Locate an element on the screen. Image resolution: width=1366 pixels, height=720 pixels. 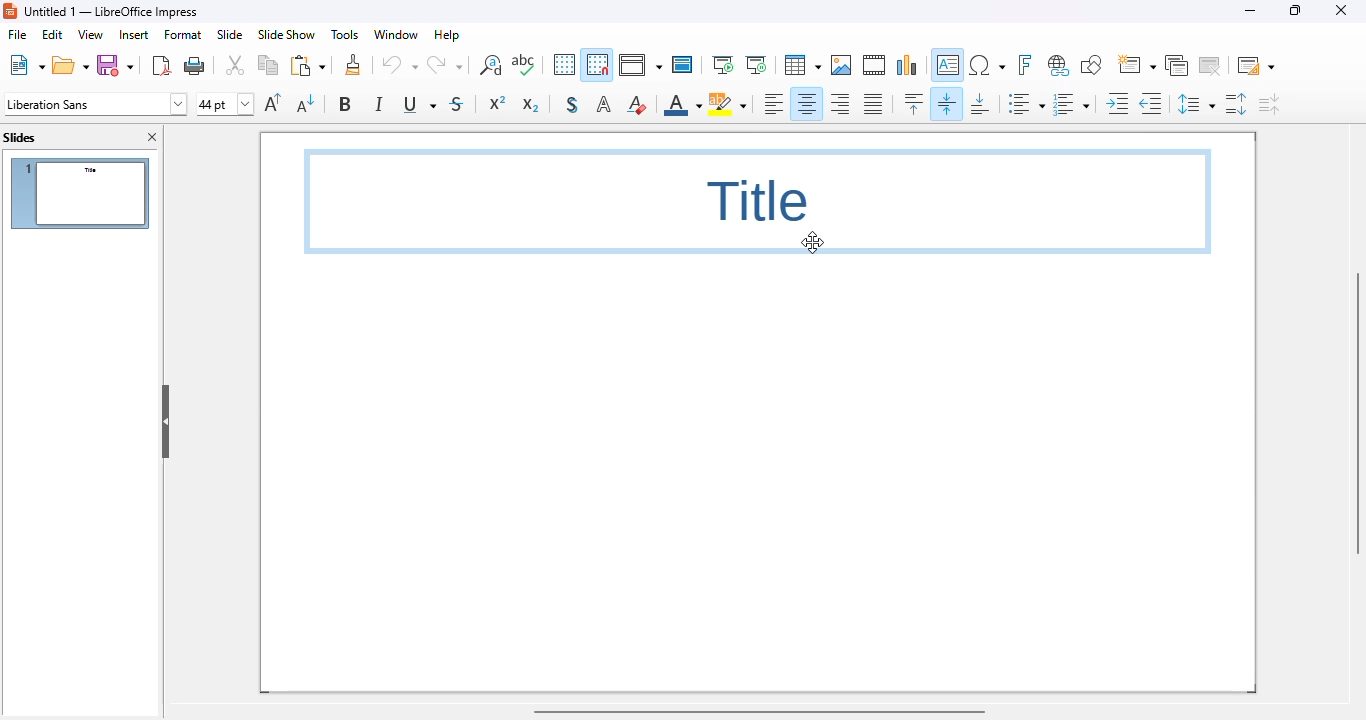
edit is located at coordinates (52, 34).